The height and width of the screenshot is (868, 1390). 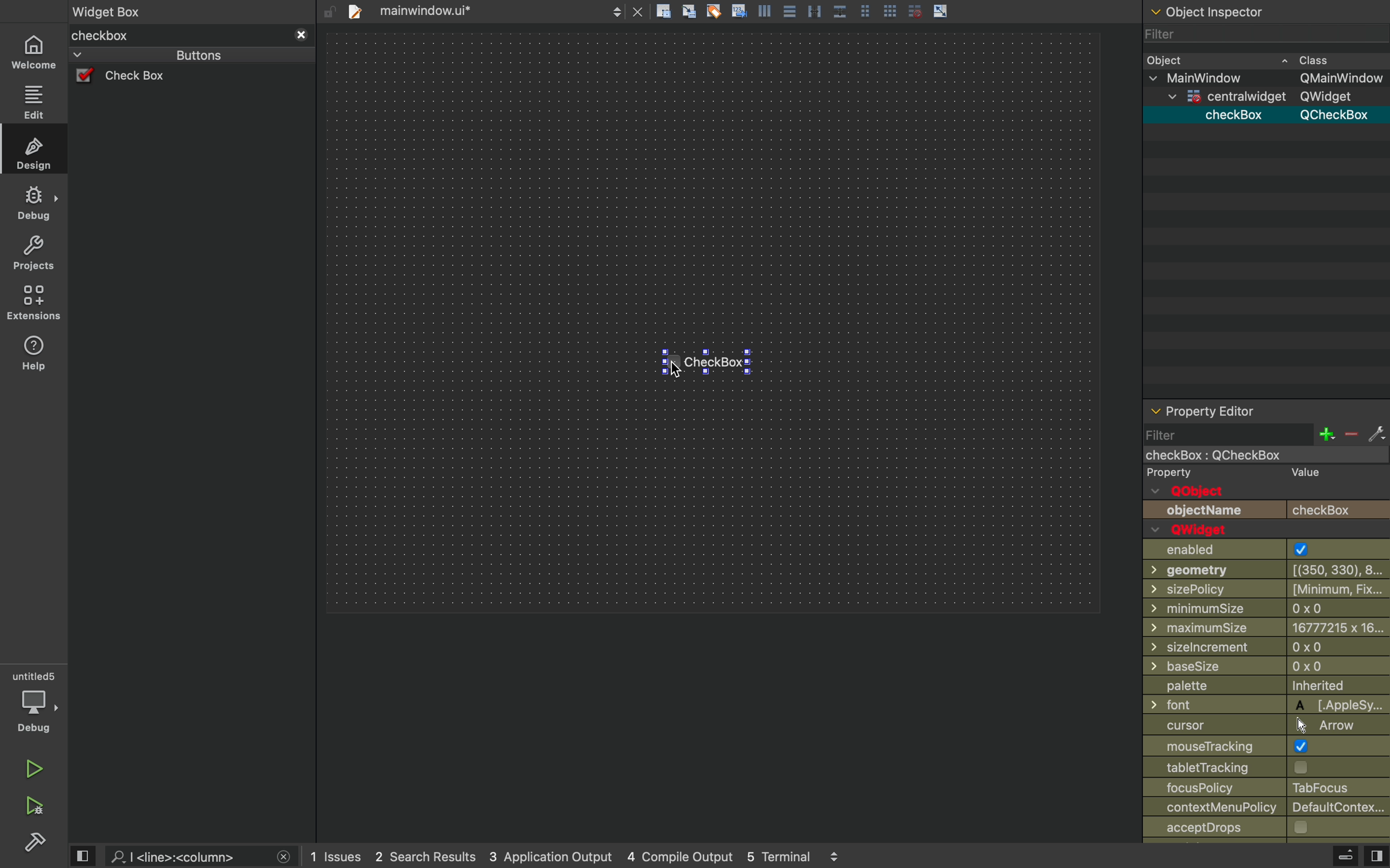 I want to click on help, so click(x=33, y=357).